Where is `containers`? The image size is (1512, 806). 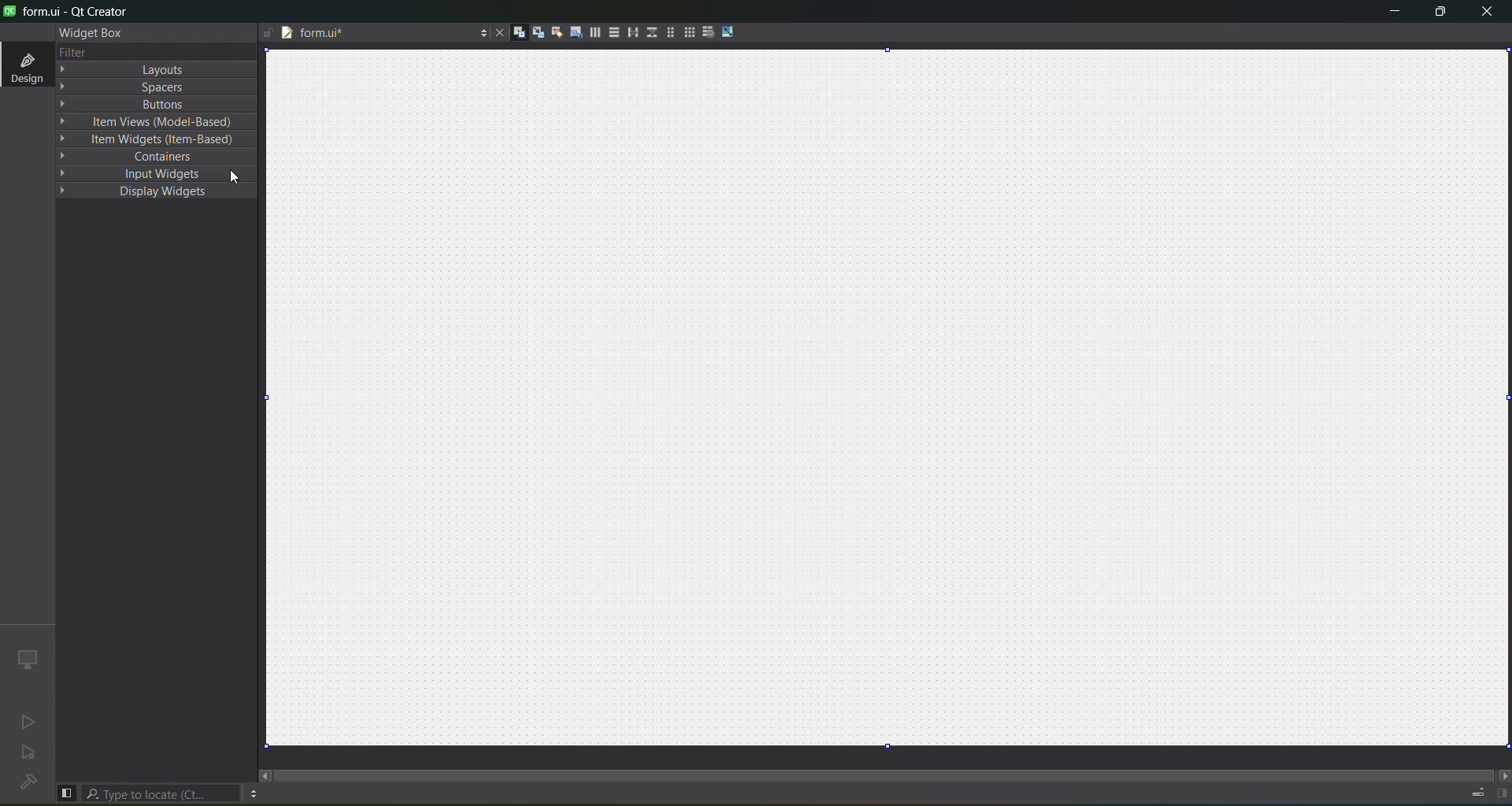
containers is located at coordinates (141, 157).